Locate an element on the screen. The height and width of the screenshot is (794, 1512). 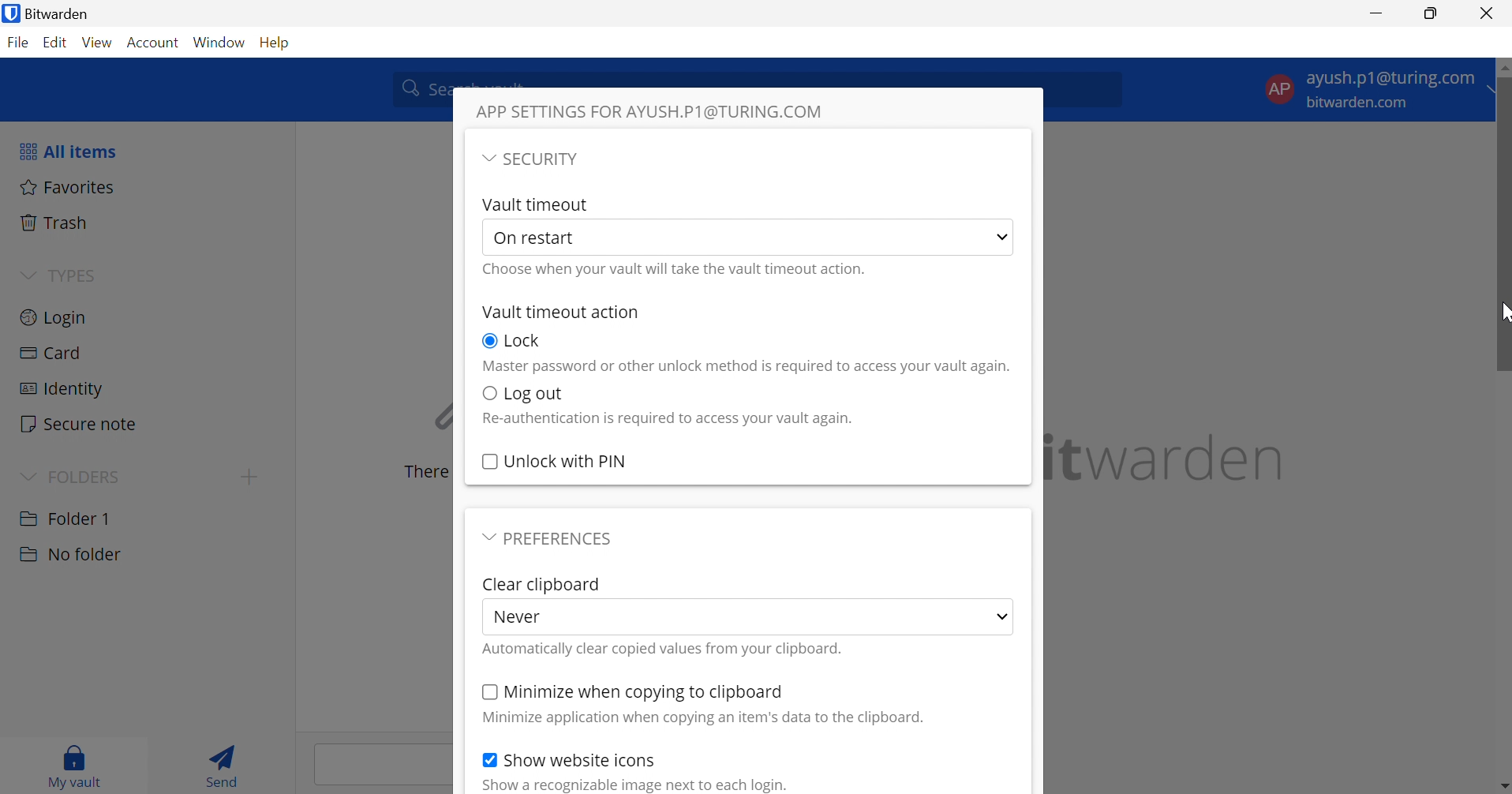
Secure note is located at coordinates (80, 425).